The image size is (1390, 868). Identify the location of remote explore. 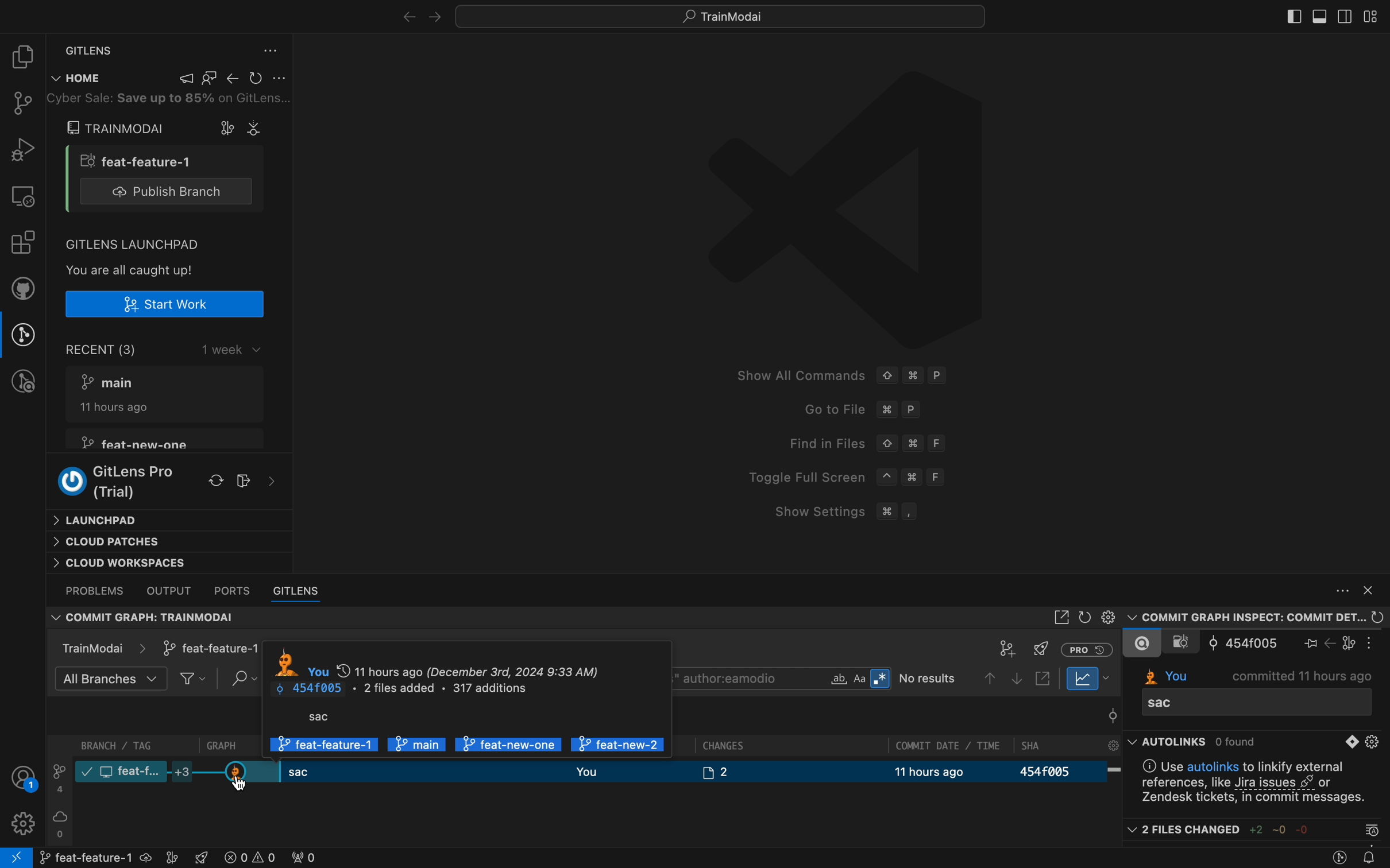
(24, 196).